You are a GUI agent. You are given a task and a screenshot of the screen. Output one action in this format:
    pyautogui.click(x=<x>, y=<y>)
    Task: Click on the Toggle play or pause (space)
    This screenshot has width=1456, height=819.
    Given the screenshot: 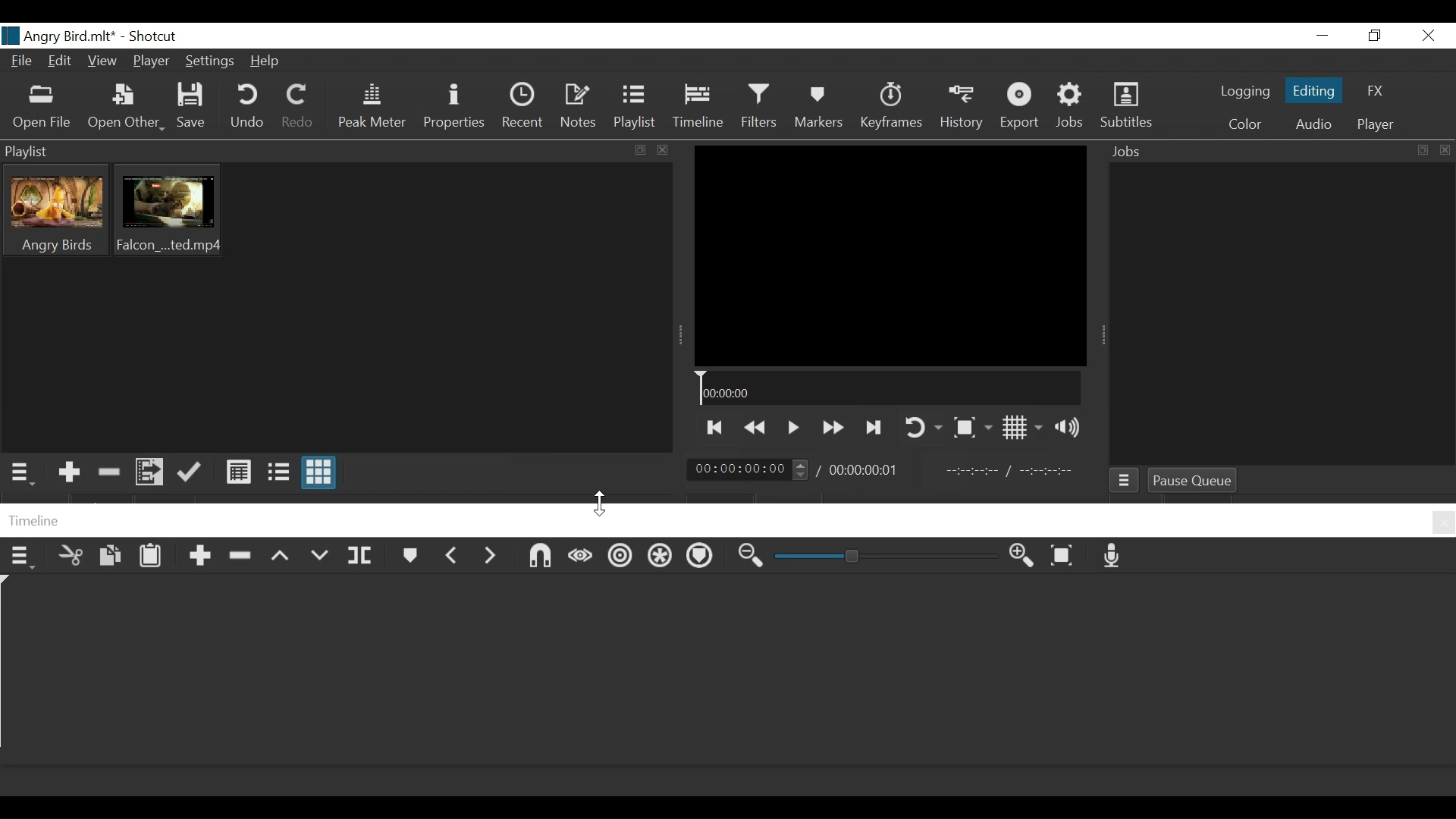 What is the action you would take?
    pyautogui.click(x=792, y=428)
    